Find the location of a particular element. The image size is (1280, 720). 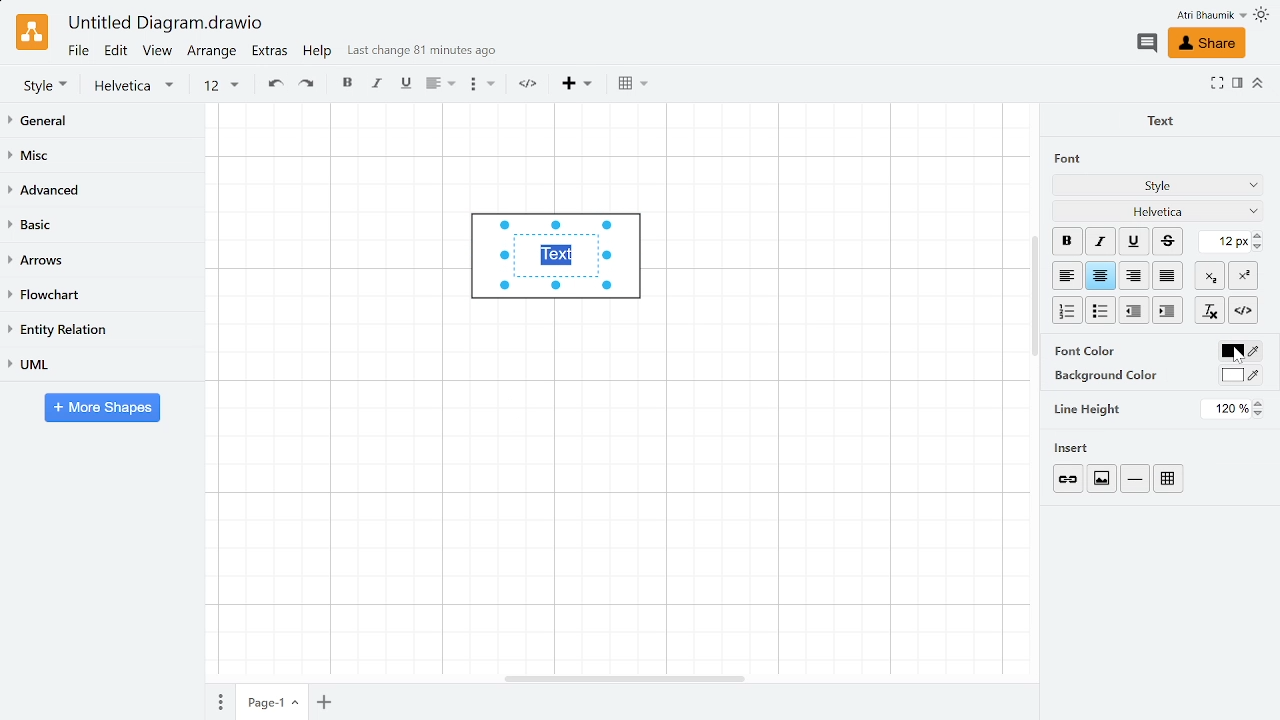

Underline is located at coordinates (1135, 242).